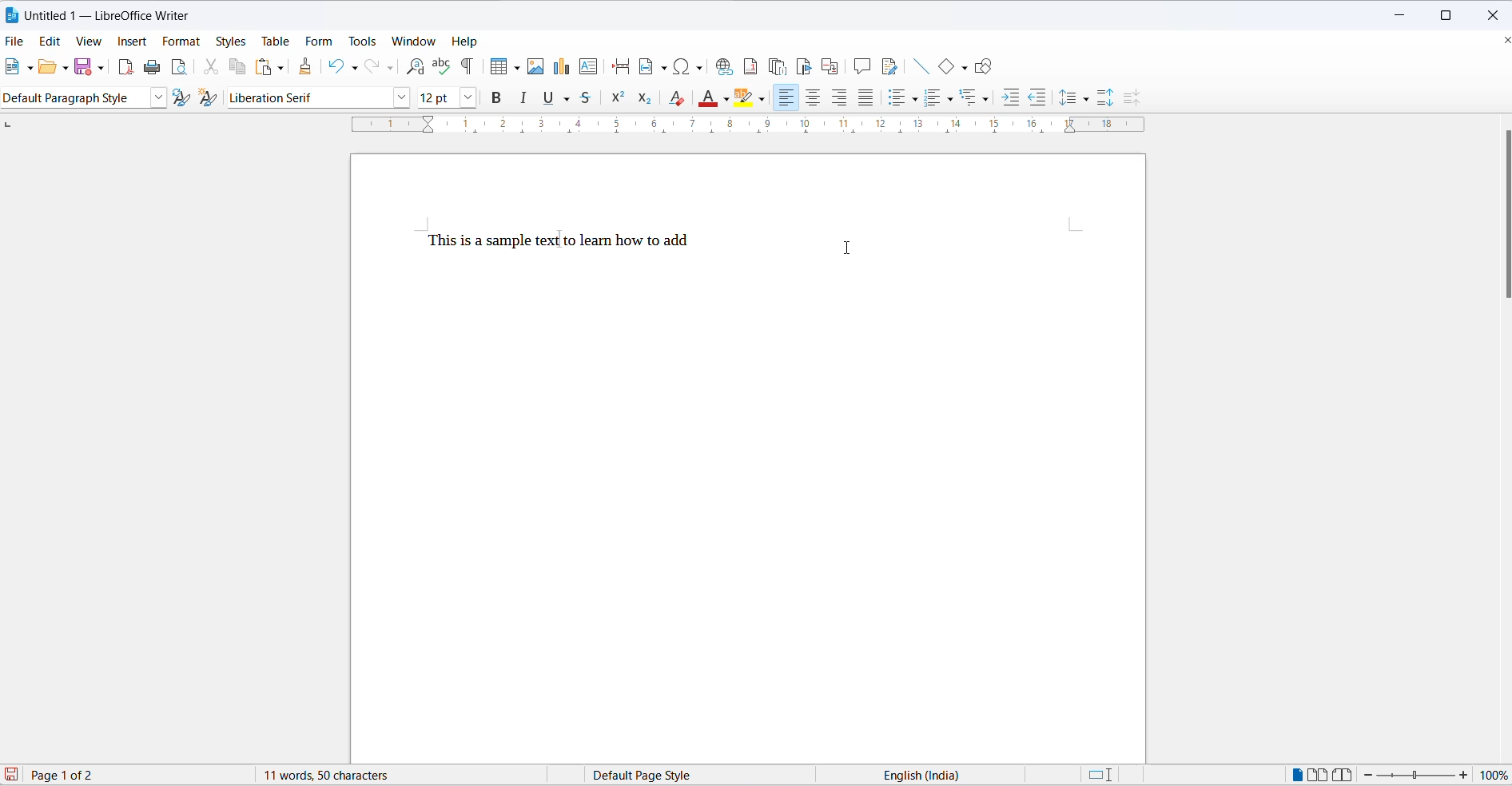  I want to click on special characters, so click(690, 68).